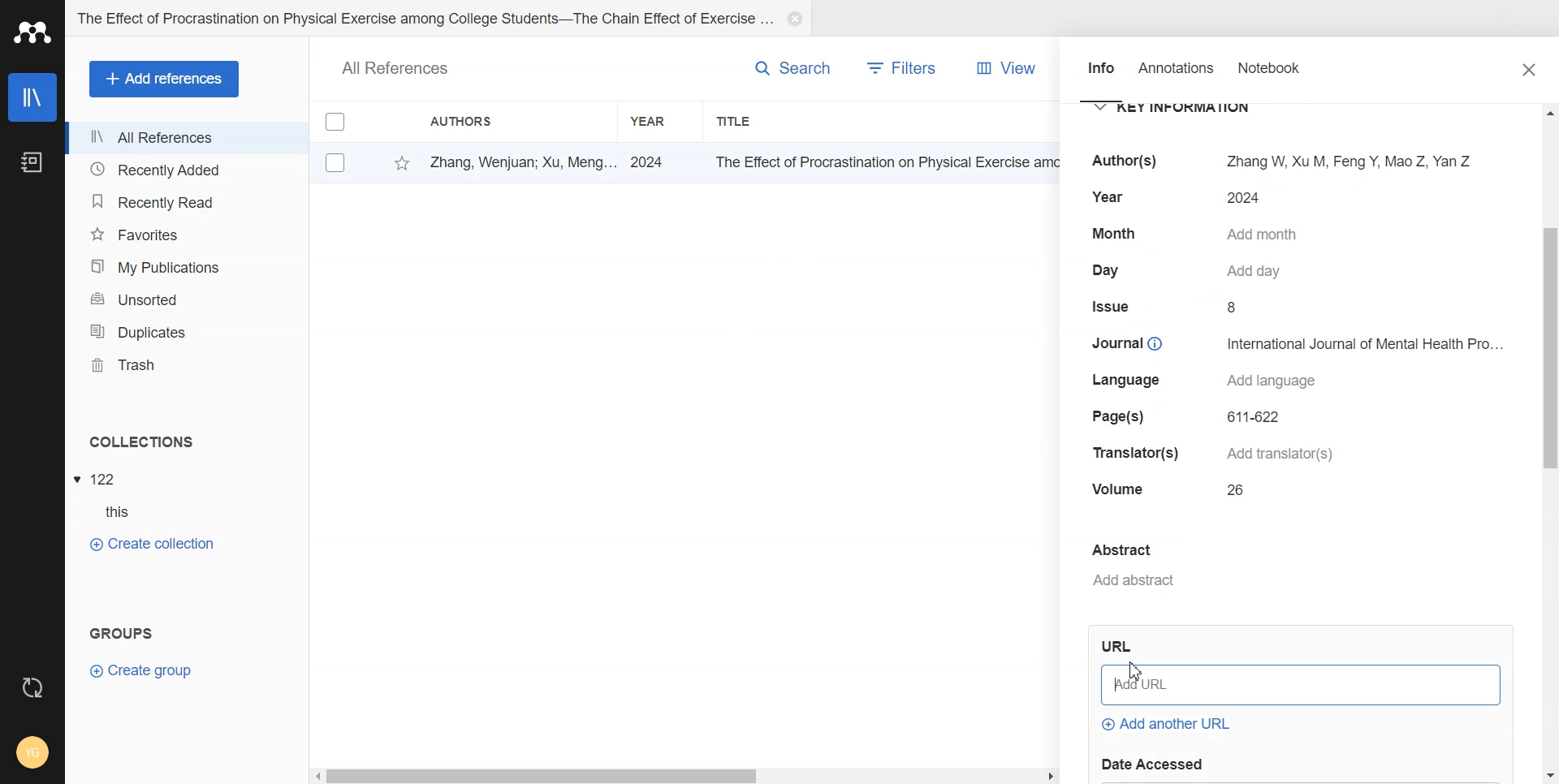  I want to click on Text, so click(140, 442).